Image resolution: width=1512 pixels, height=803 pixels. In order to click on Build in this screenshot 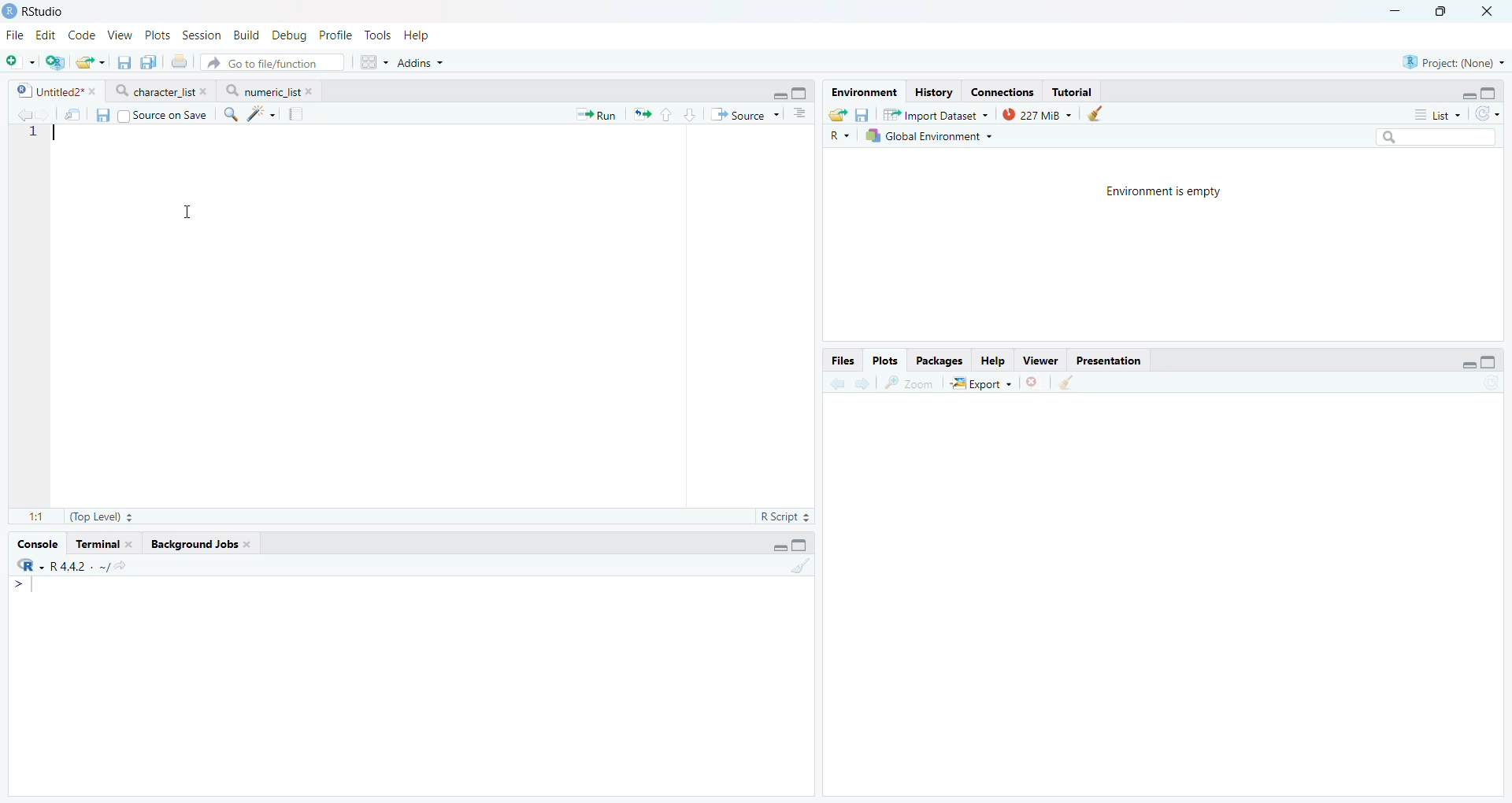, I will do `click(248, 35)`.